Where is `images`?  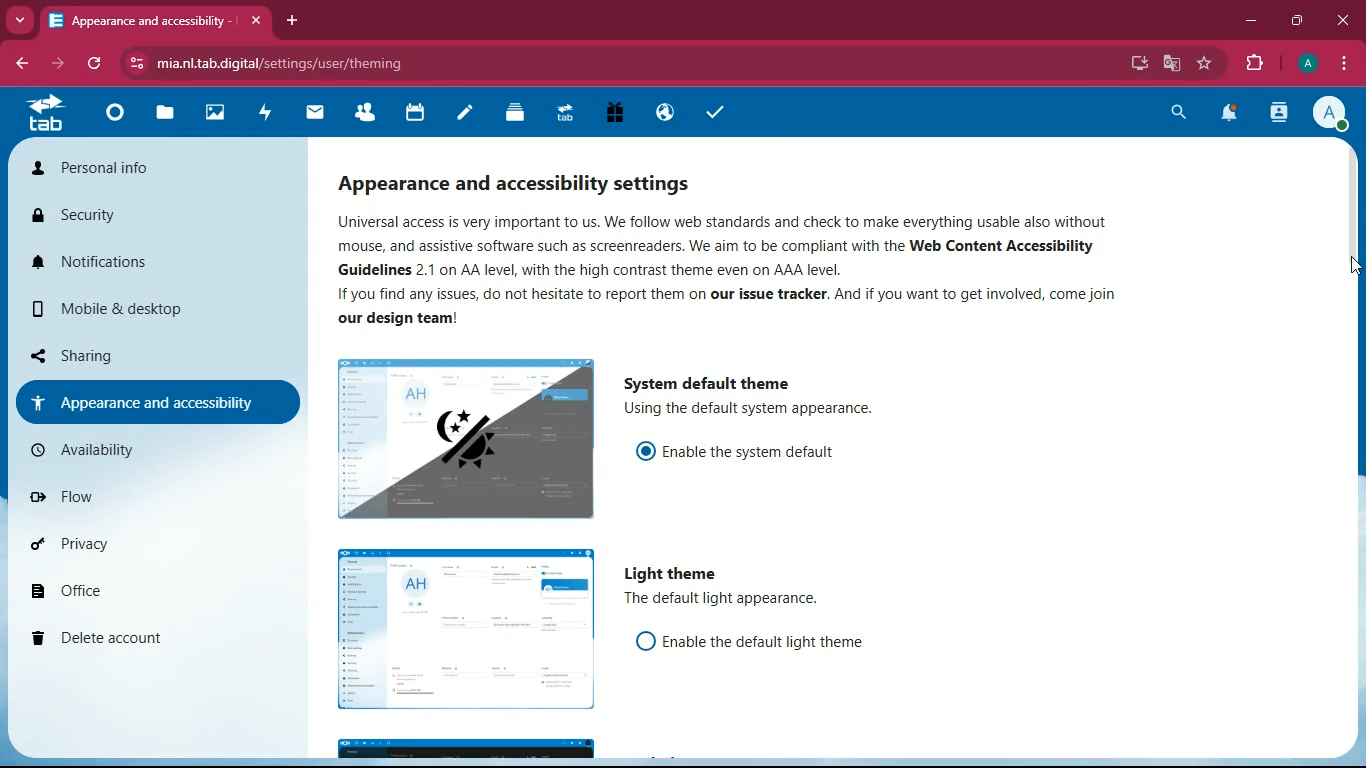 images is located at coordinates (218, 114).